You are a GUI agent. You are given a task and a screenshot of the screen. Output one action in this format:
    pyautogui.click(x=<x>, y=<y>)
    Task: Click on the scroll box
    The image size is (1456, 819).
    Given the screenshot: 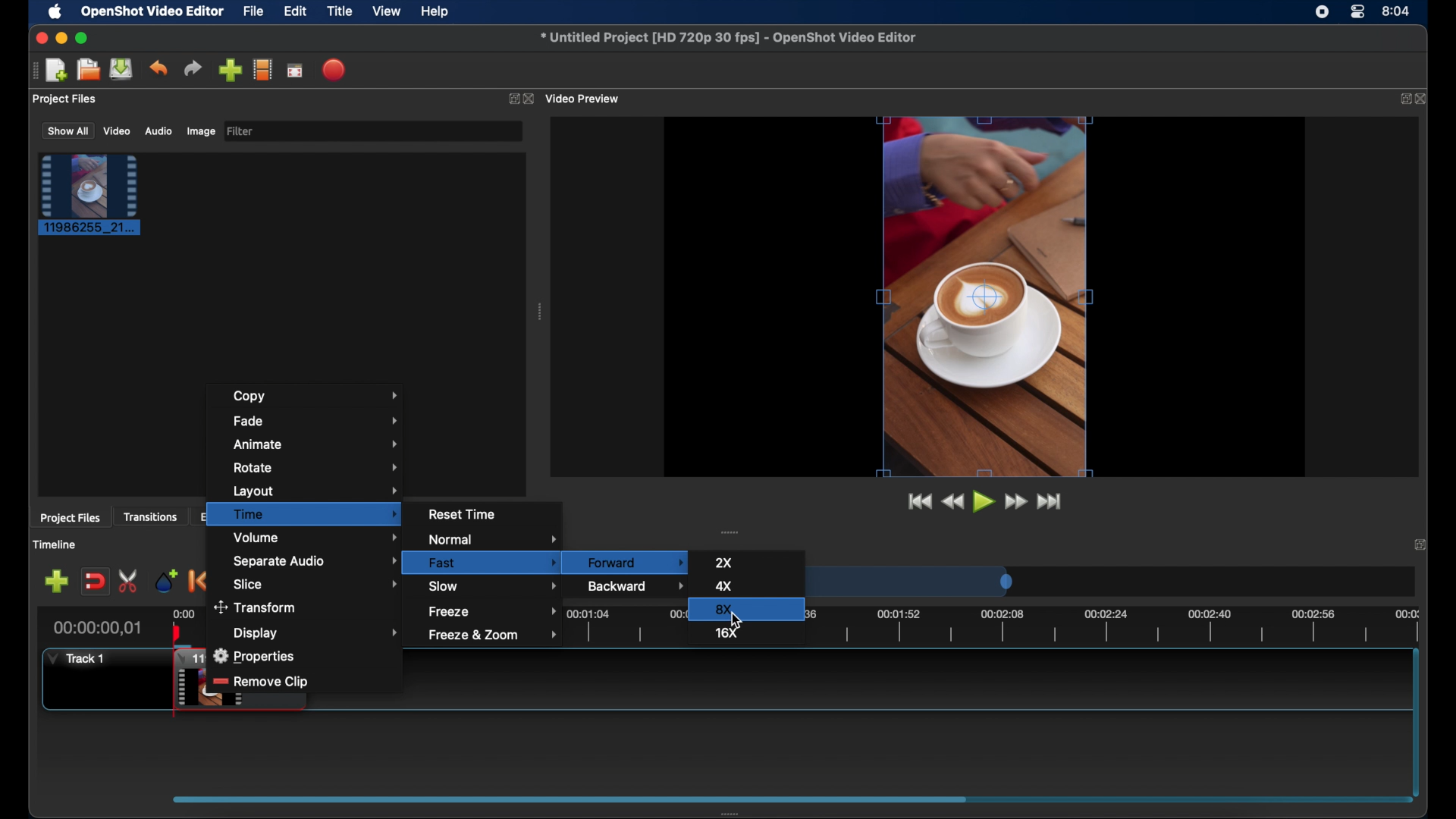 What is the action you would take?
    pyautogui.click(x=568, y=797)
    